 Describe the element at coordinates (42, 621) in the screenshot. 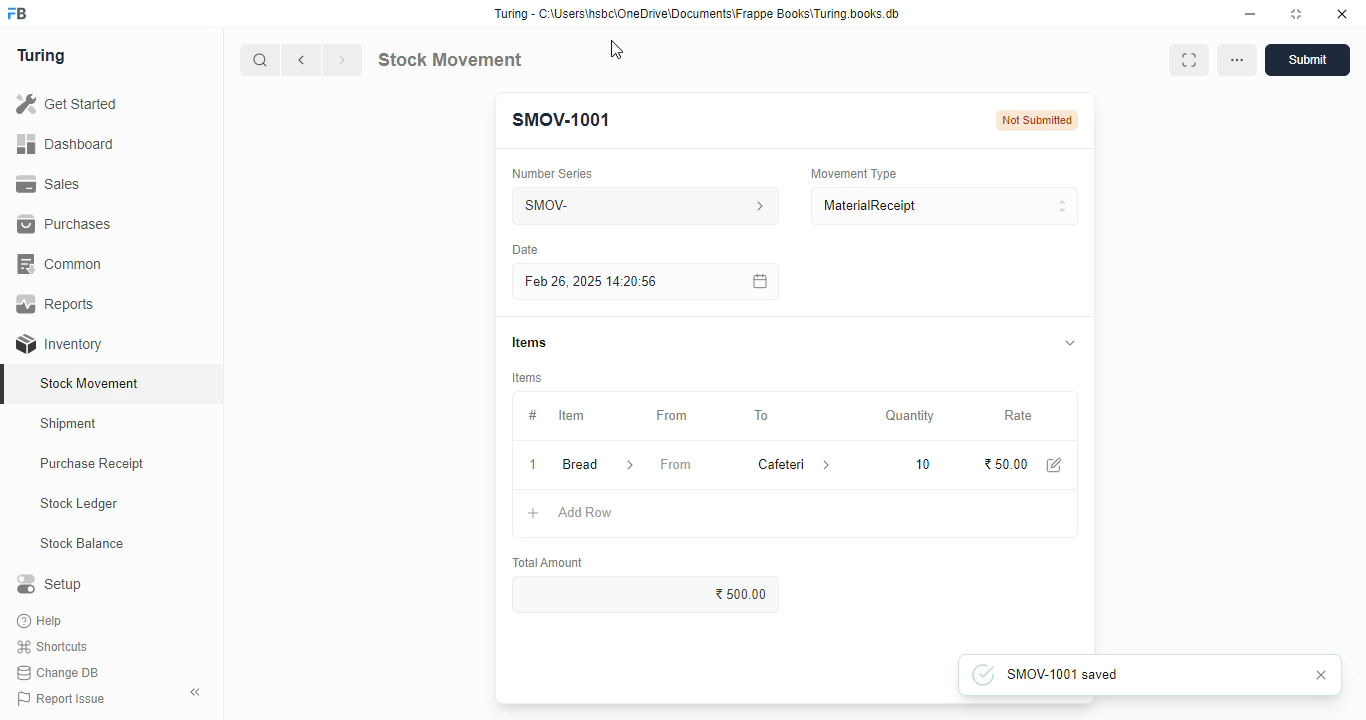

I see `help` at that location.